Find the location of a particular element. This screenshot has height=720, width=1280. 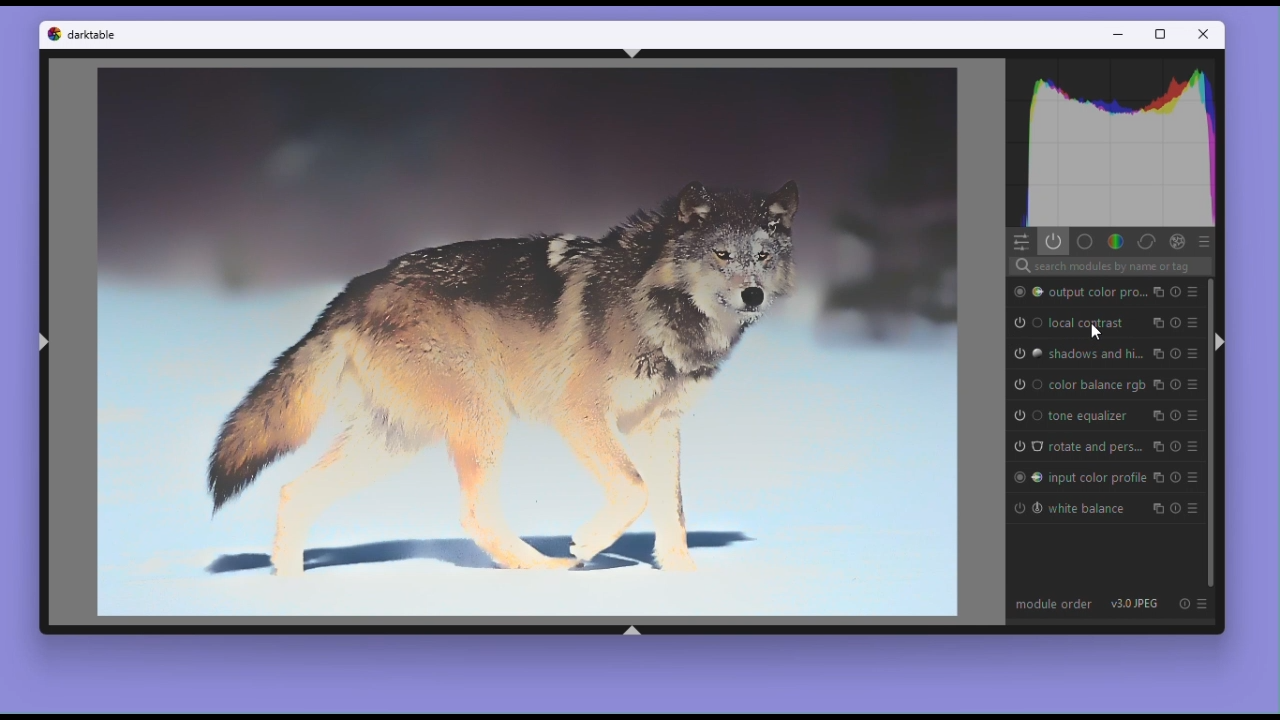

reset parameters is located at coordinates (1174, 415).